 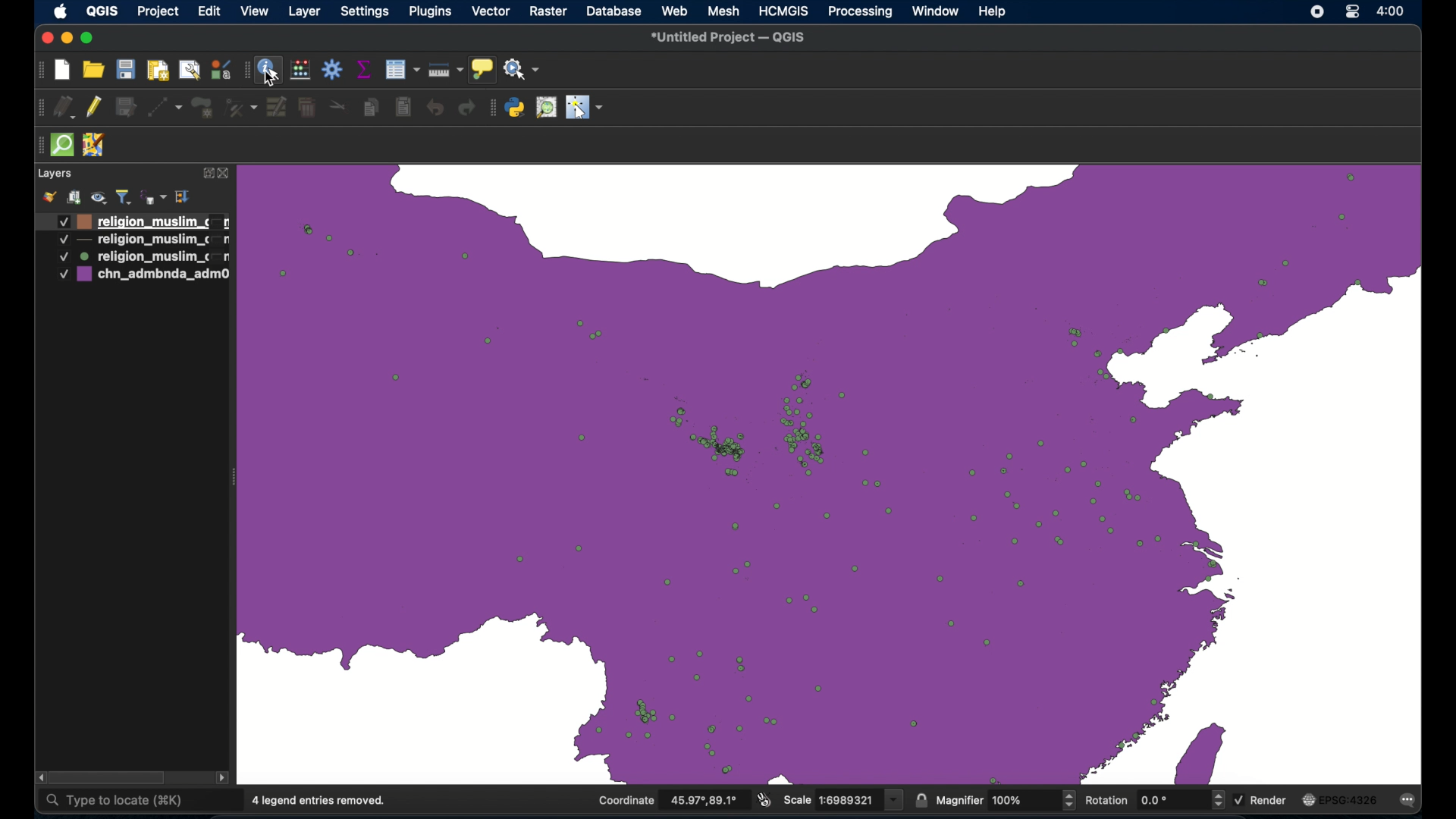 I want to click on settings, so click(x=365, y=12).